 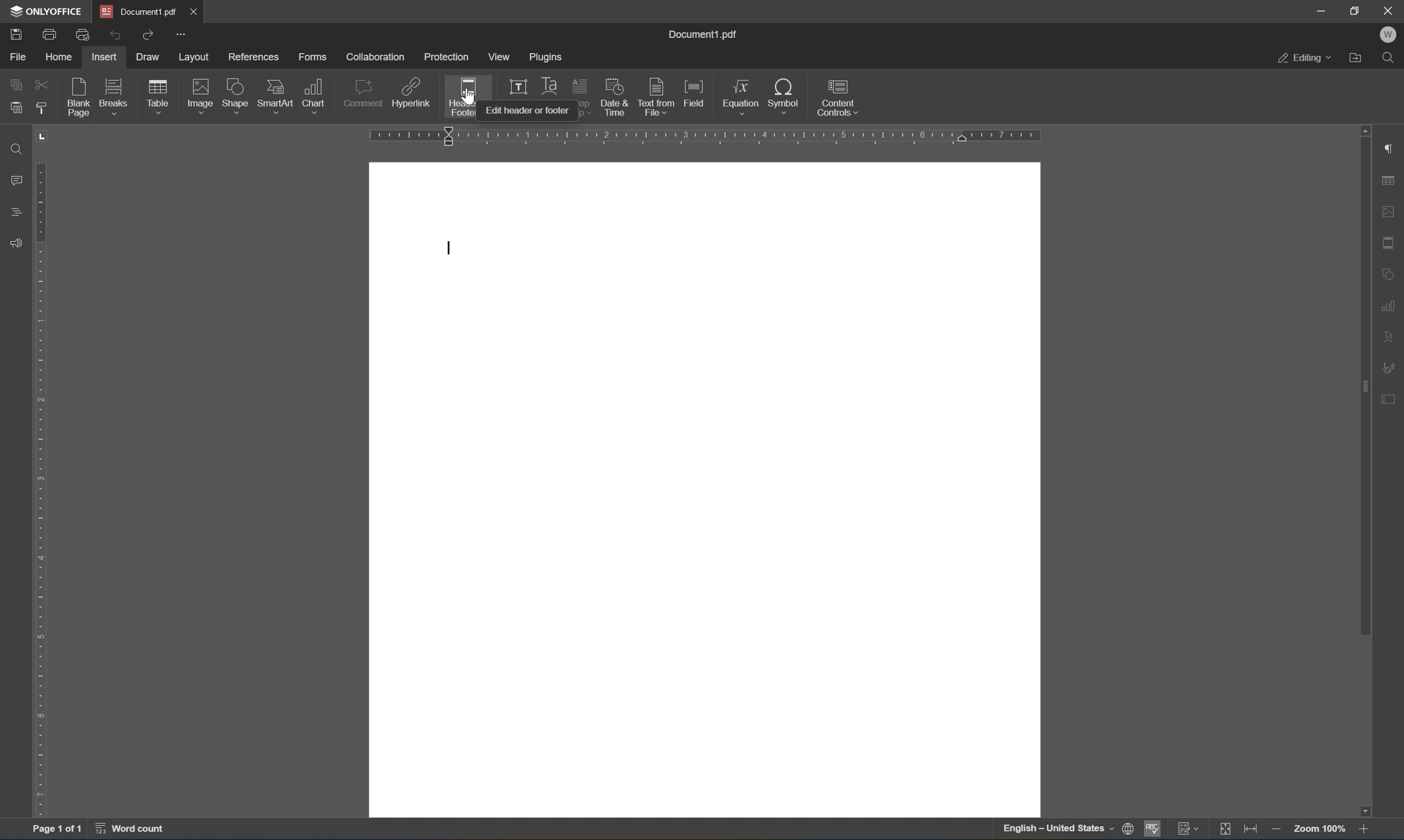 What do you see at coordinates (196, 57) in the screenshot?
I see `layout` at bounding box center [196, 57].